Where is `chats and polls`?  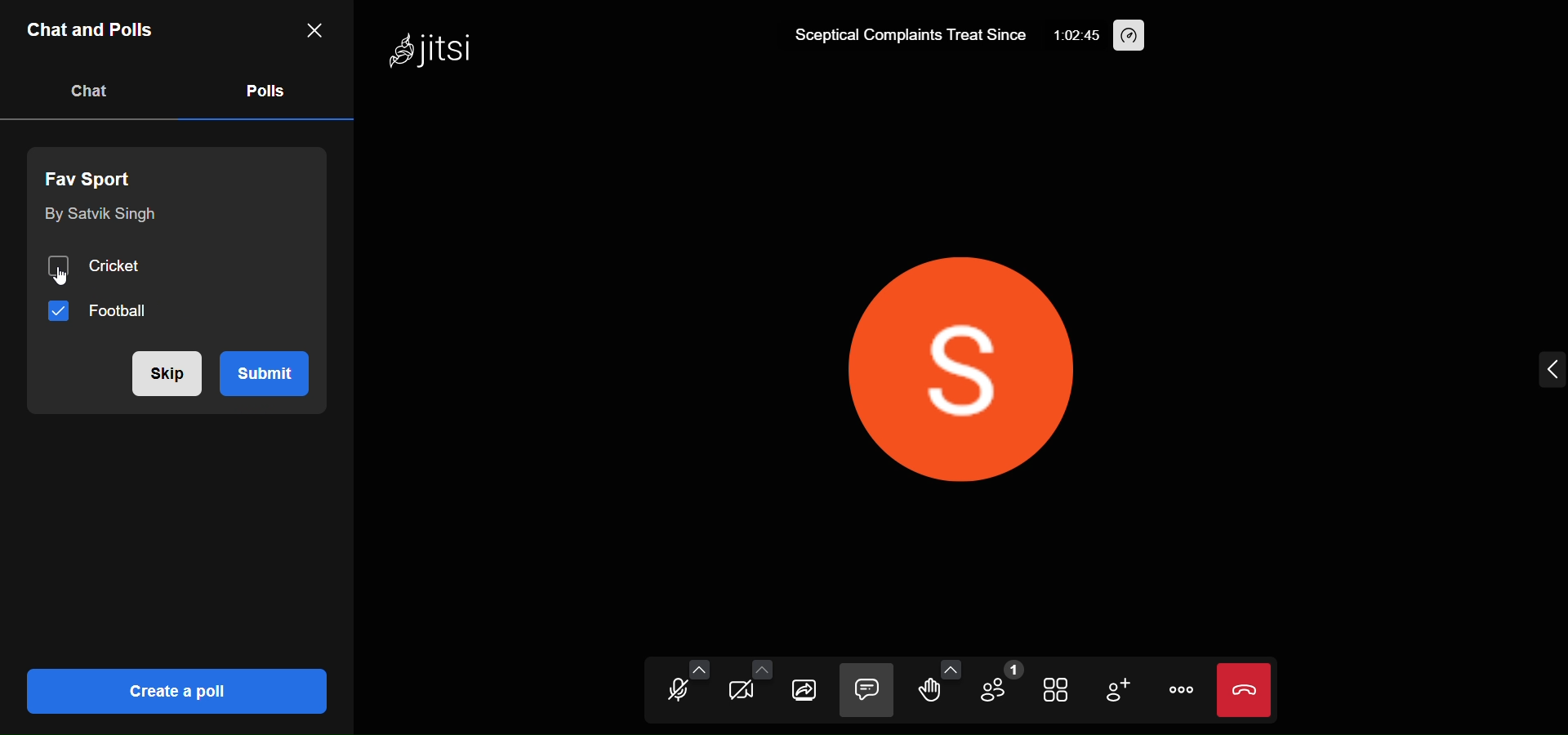
chats and polls is located at coordinates (93, 33).